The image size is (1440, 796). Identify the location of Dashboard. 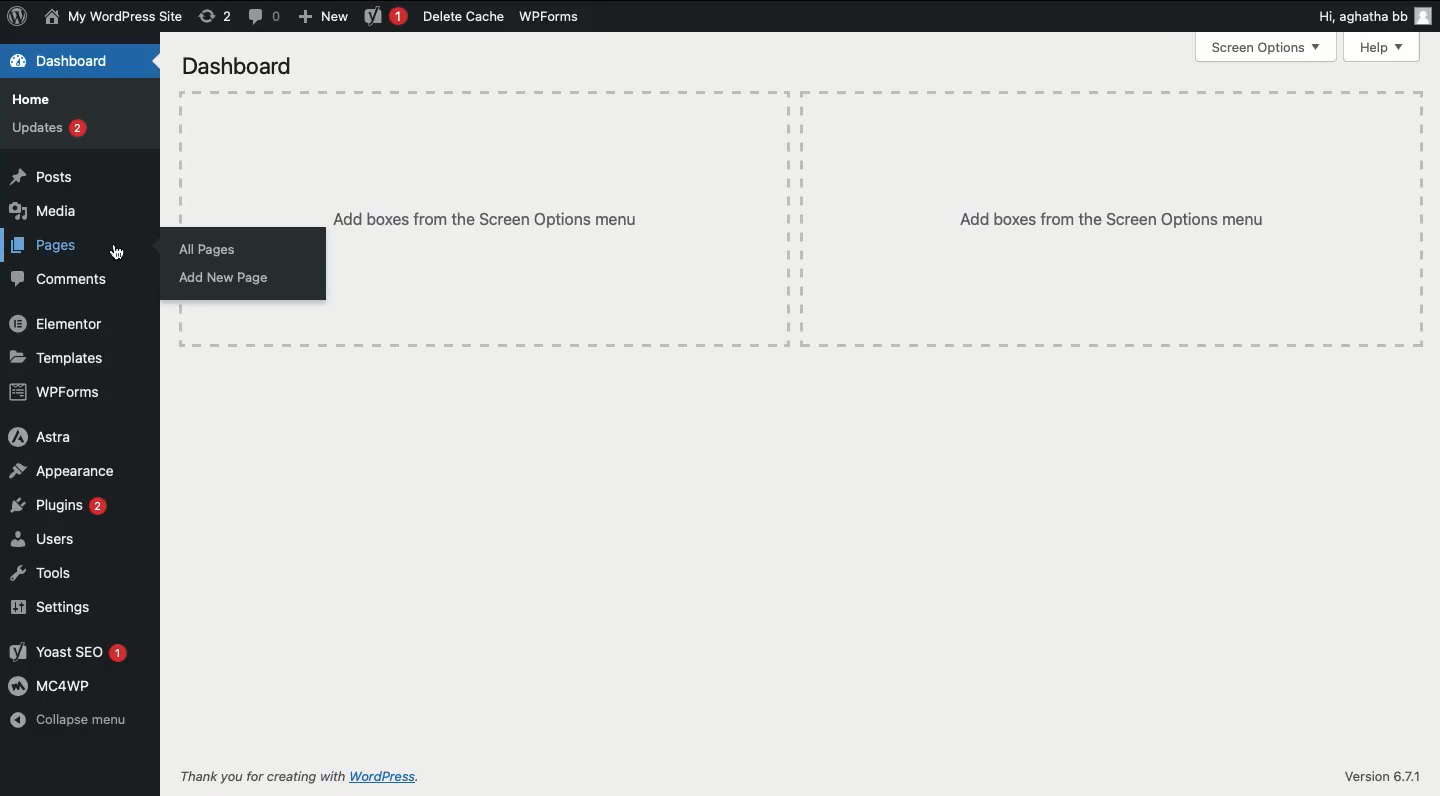
(244, 67).